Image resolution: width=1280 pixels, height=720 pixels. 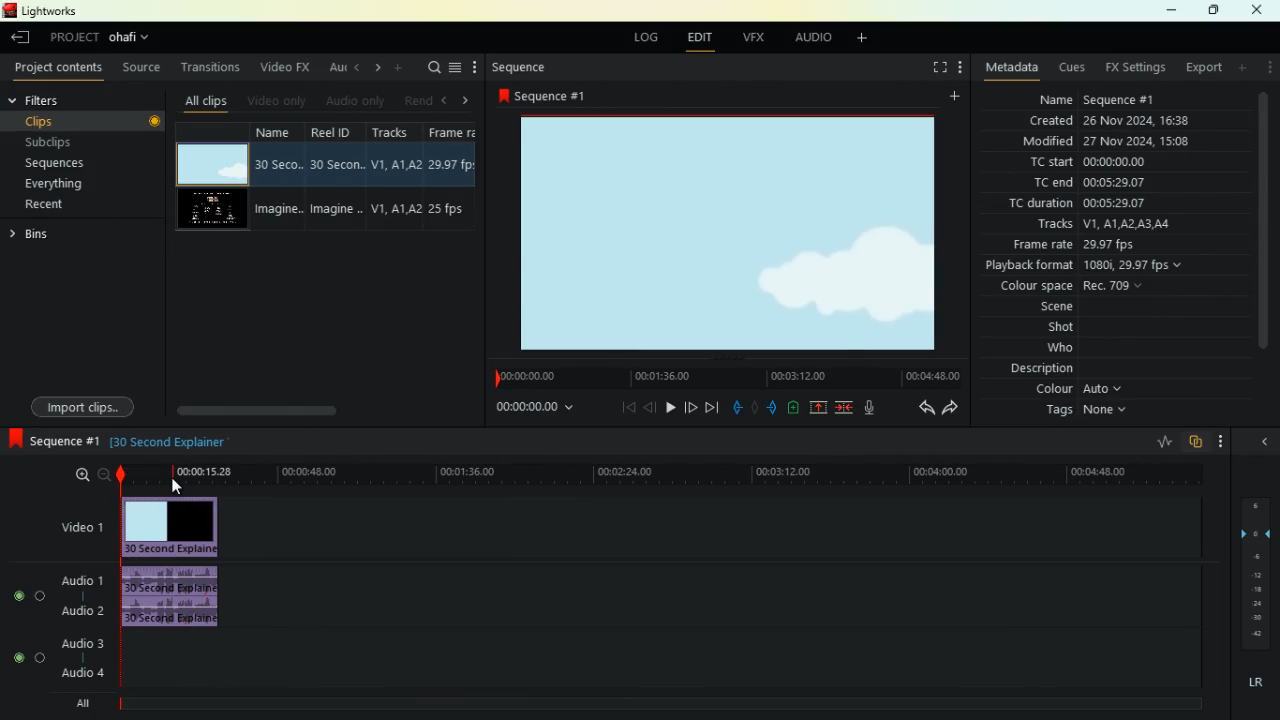 I want to click on video, so click(x=210, y=210).